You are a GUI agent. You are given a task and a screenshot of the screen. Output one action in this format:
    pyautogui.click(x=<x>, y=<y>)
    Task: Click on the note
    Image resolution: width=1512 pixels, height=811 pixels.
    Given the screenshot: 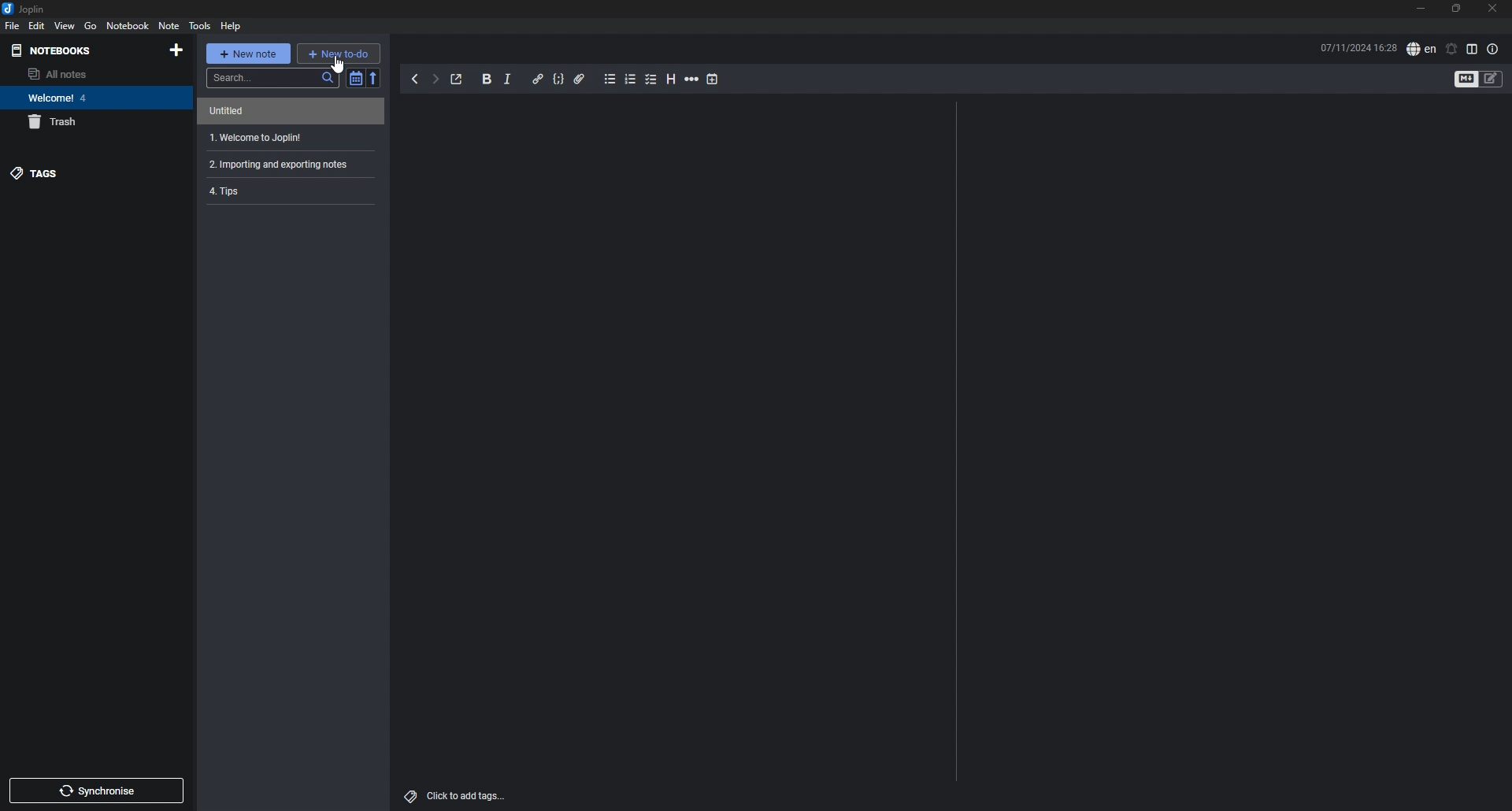 What is the action you would take?
    pyautogui.click(x=294, y=111)
    